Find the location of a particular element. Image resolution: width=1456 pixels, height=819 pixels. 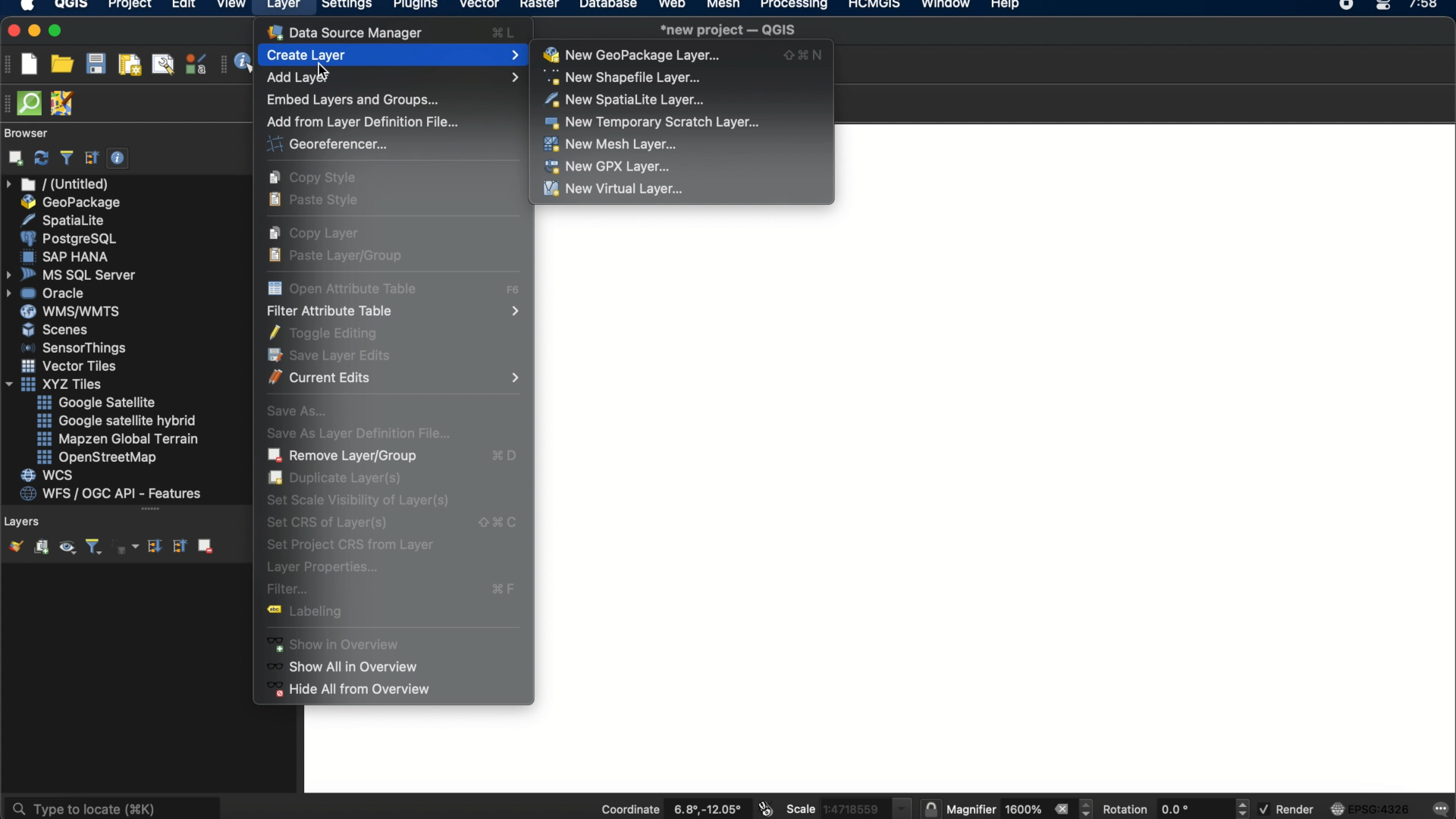

add selected layers is located at coordinates (13, 158).